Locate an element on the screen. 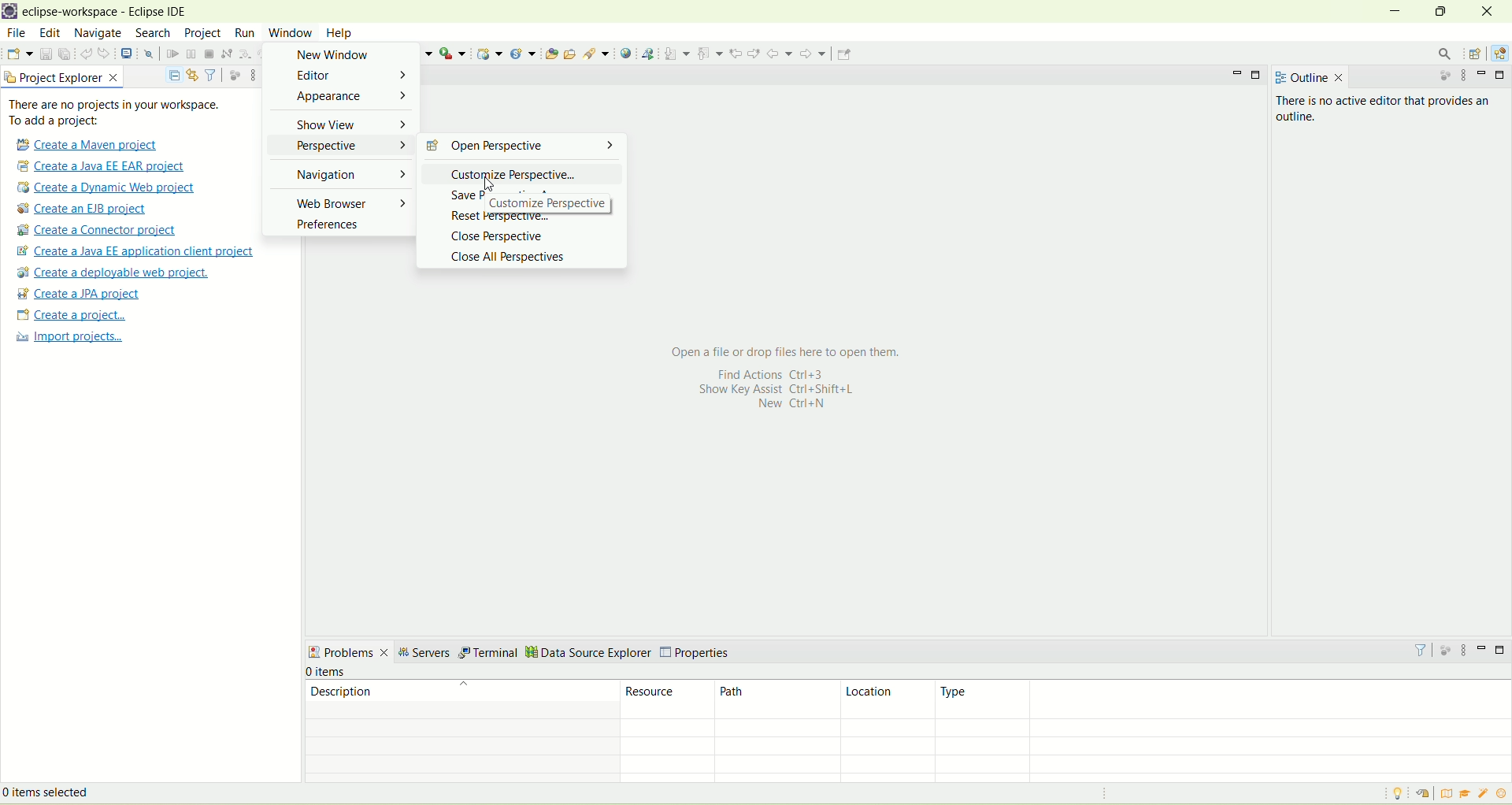  open type is located at coordinates (550, 54).